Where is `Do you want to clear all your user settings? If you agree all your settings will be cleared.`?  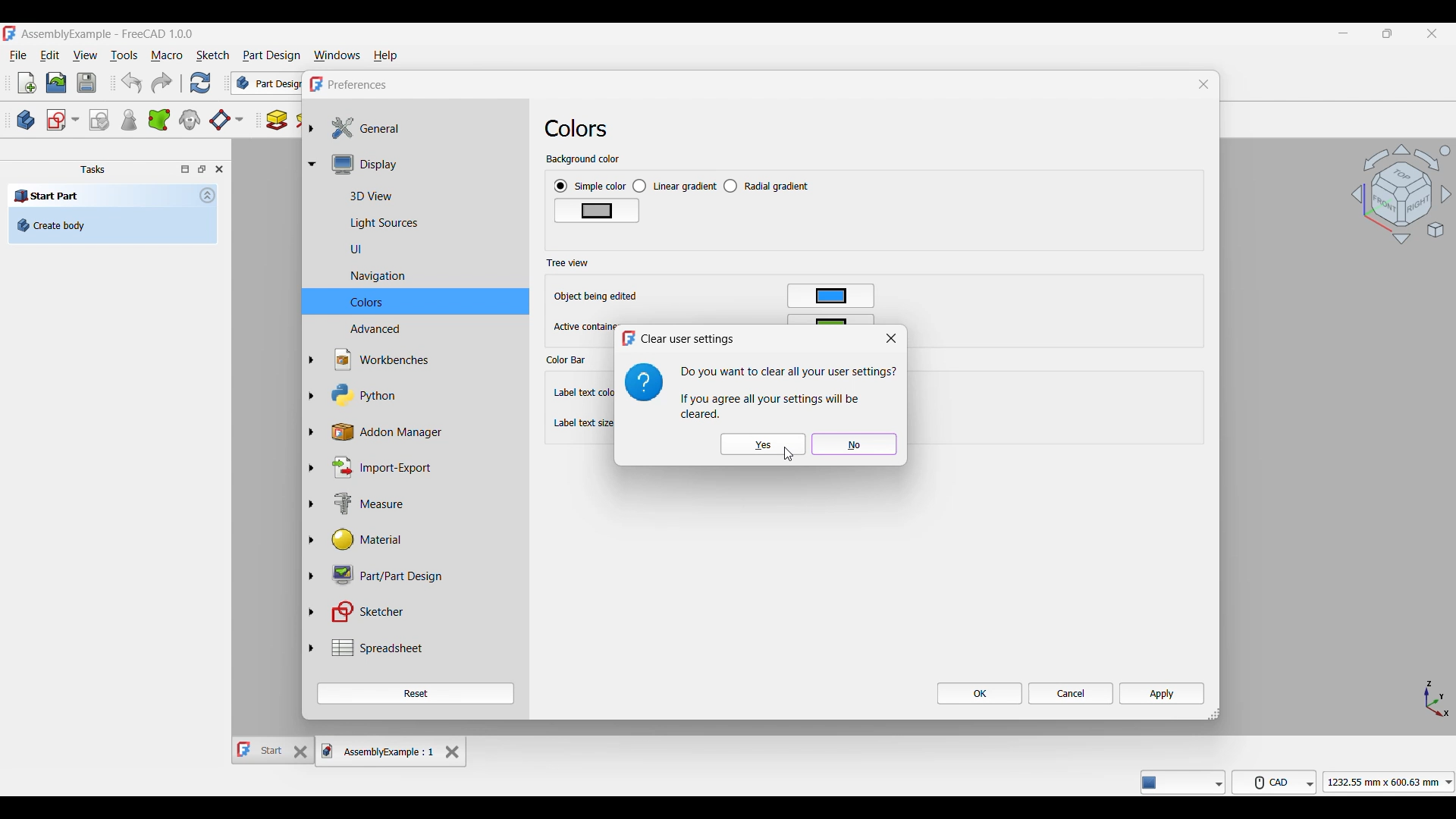
Do you want to clear all your user settings? If you agree all your settings will be cleared. is located at coordinates (789, 392).